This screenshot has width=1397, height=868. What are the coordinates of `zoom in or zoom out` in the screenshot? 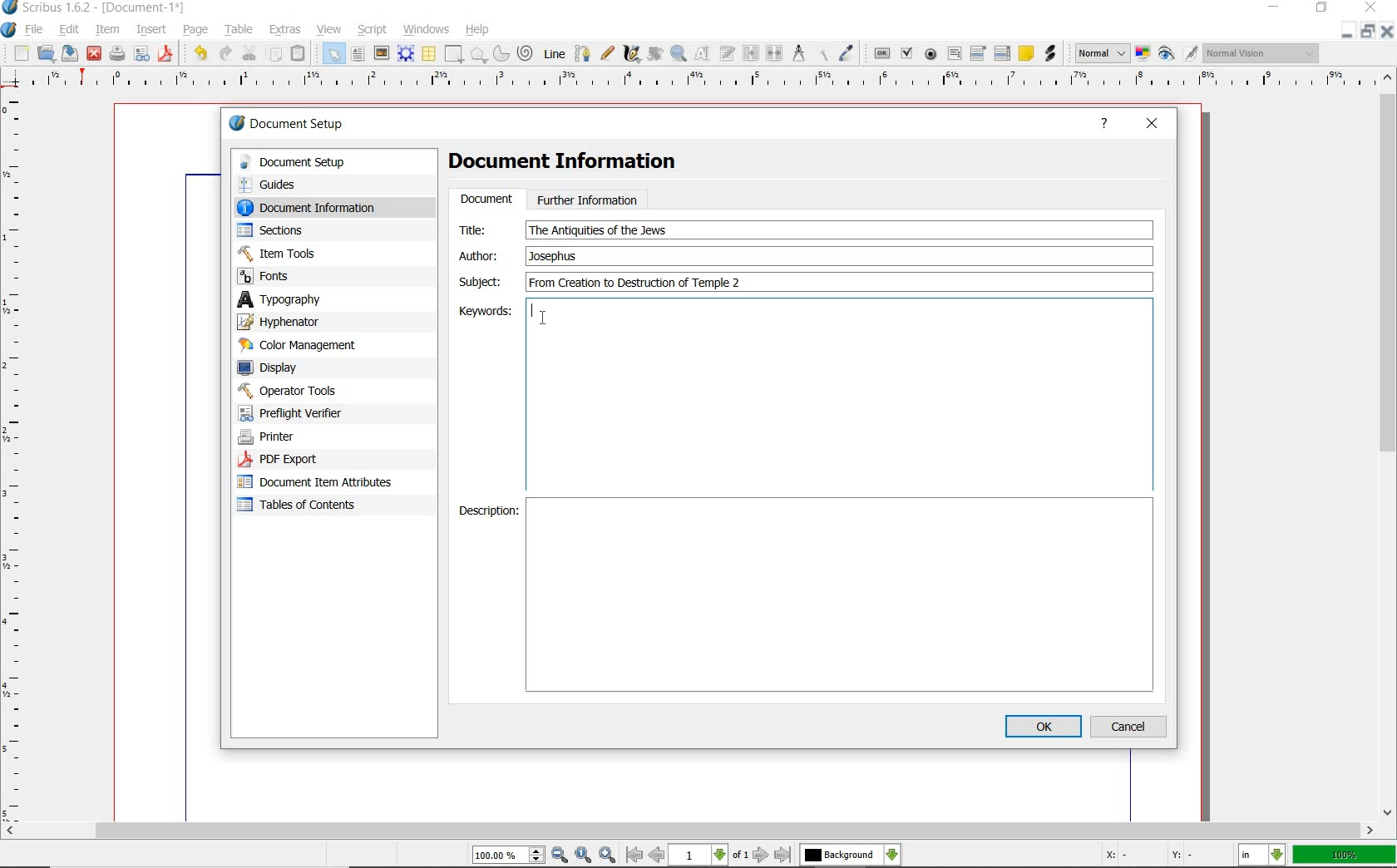 It's located at (679, 55).